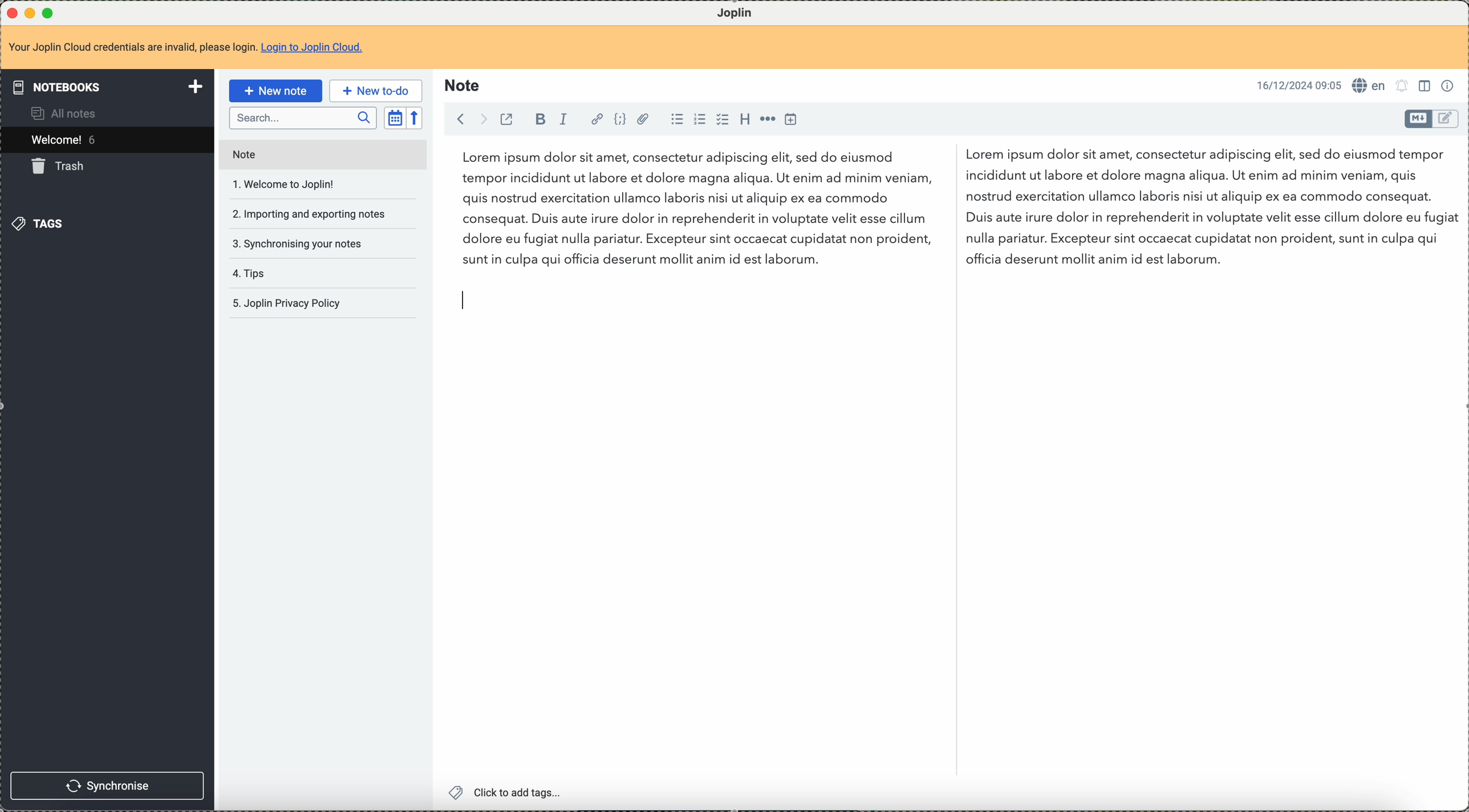  Describe the element at coordinates (1404, 86) in the screenshot. I see `set notifications` at that location.